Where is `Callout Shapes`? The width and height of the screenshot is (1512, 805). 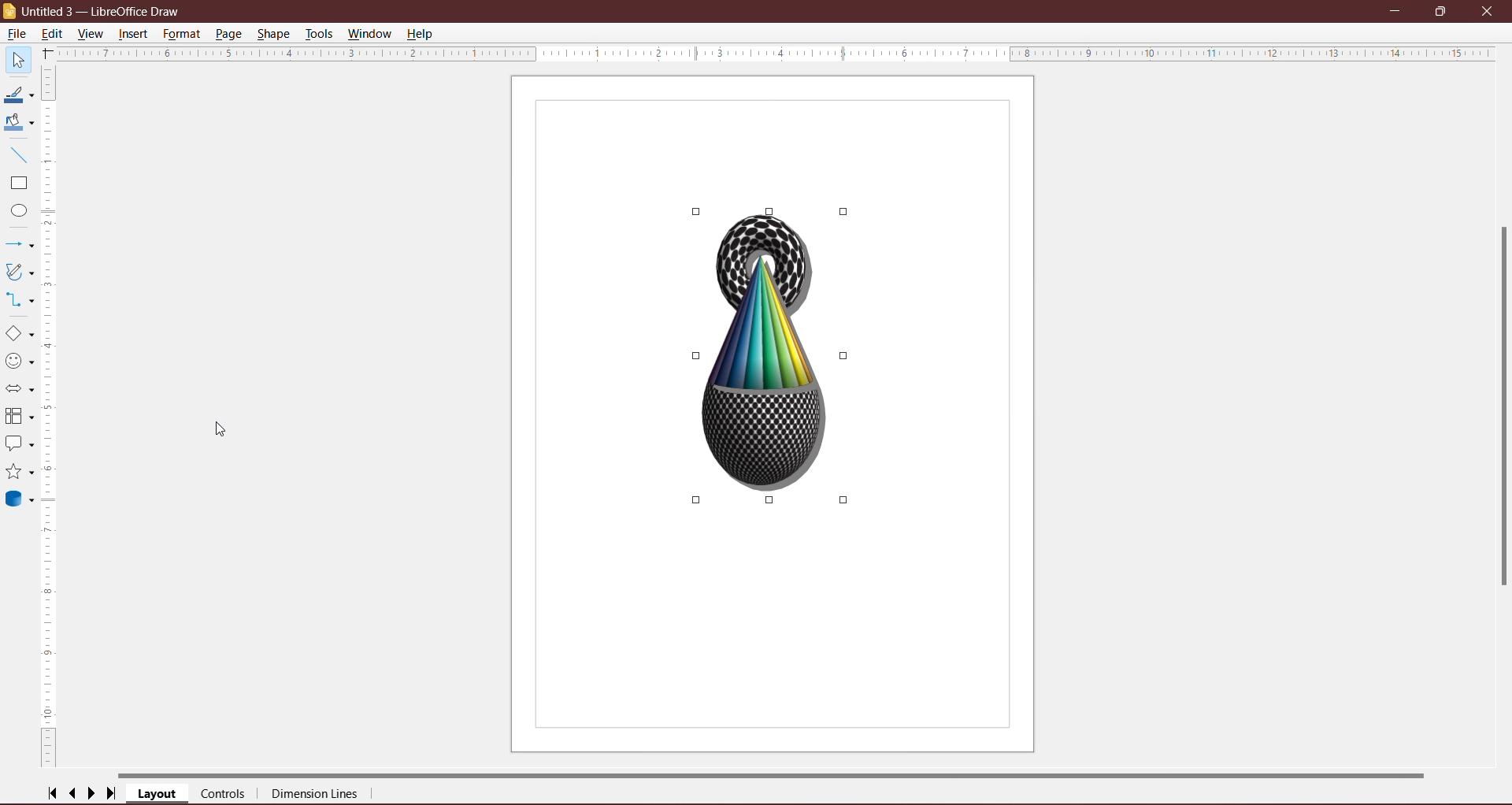 Callout Shapes is located at coordinates (20, 445).